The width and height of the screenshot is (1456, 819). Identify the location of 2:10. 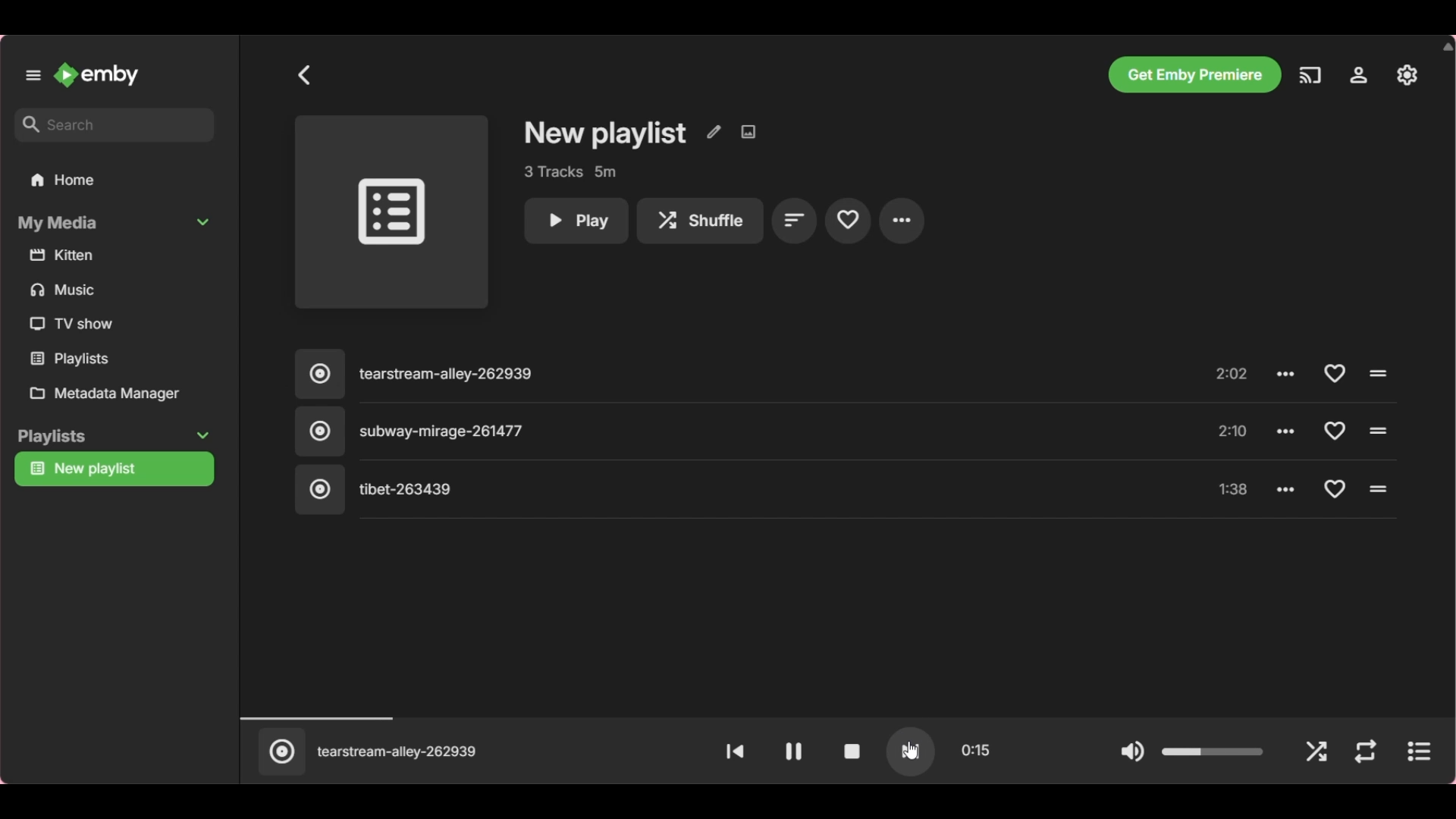
(1236, 428).